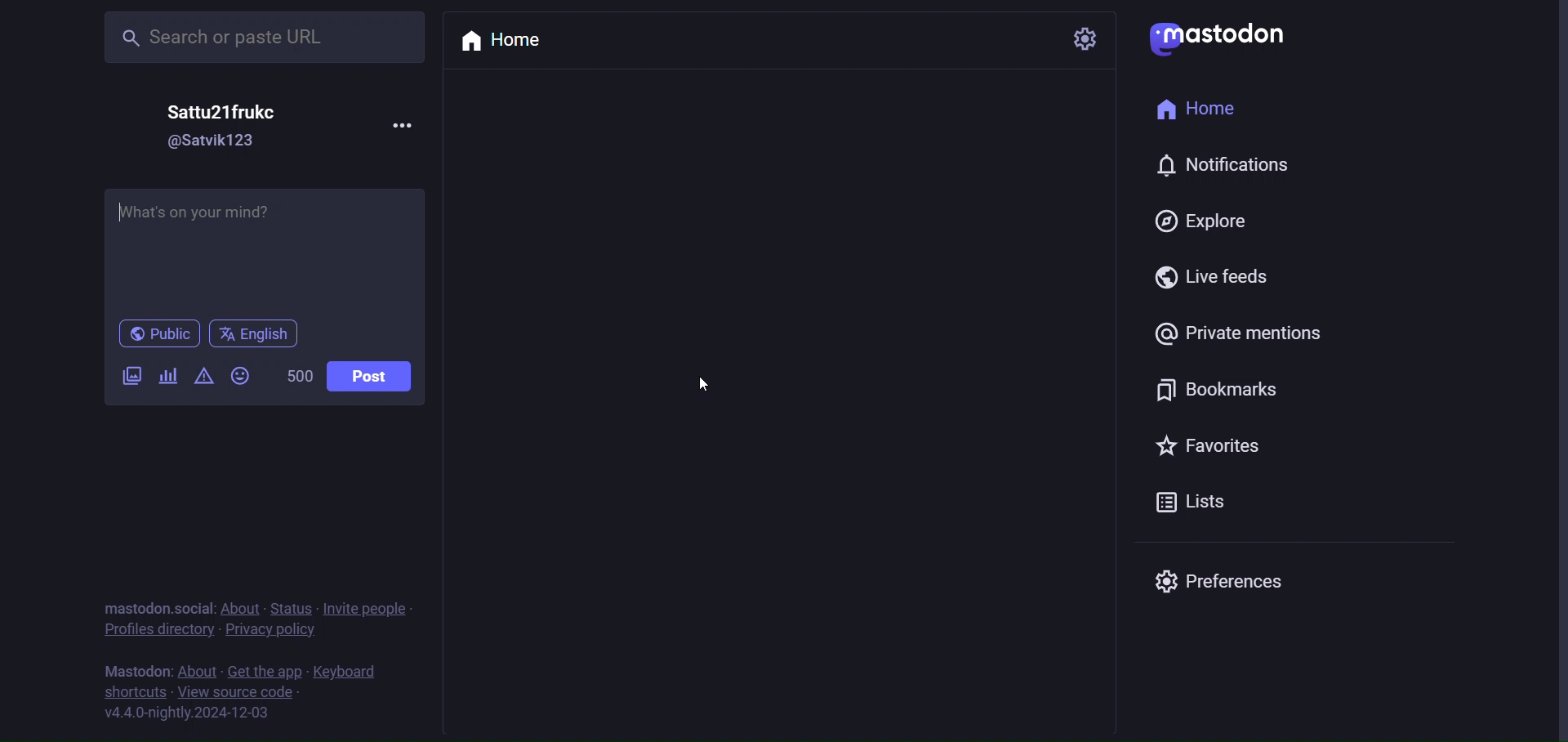 Image resolution: width=1568 pixels, height=742 pixels. What do you see at coordinates (220, 111) in the screenshot?
I see `name` at bounding box center [220, 111].